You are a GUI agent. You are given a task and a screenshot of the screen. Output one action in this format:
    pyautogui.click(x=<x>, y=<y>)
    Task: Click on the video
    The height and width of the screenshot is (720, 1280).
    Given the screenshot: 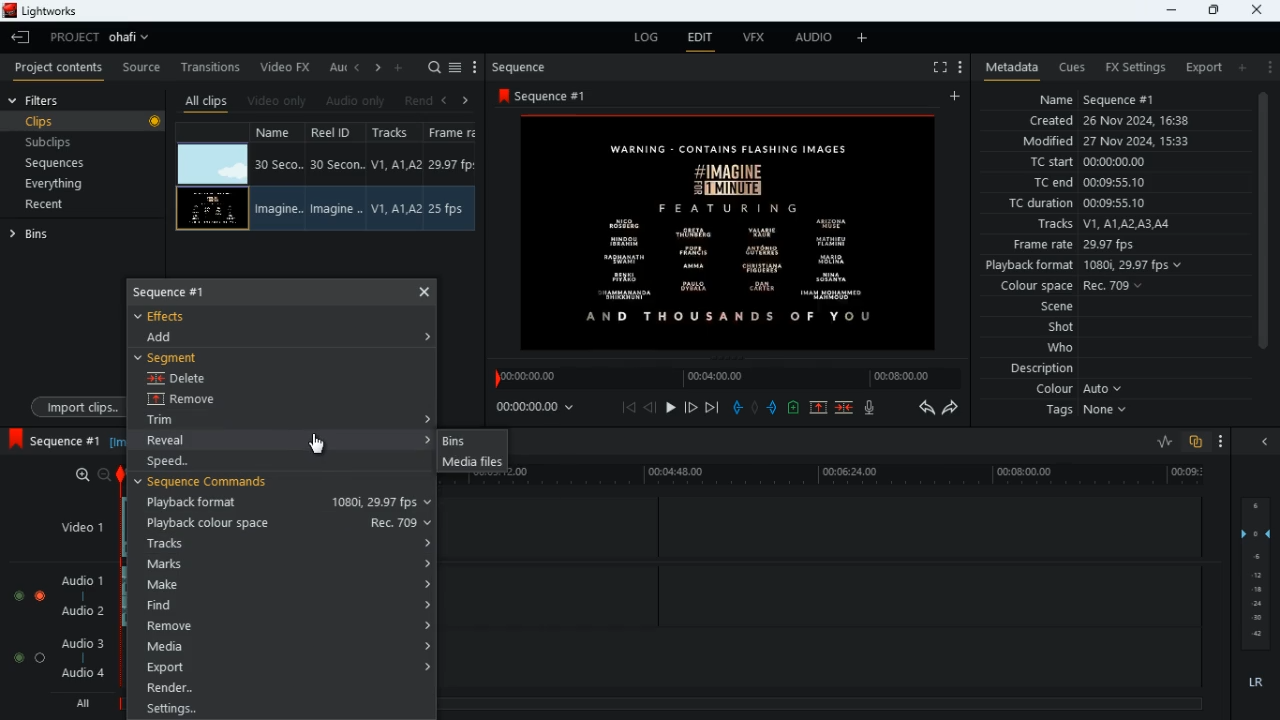 What is the action you would take?
    pyautogui.click(x=213, y=162)
    